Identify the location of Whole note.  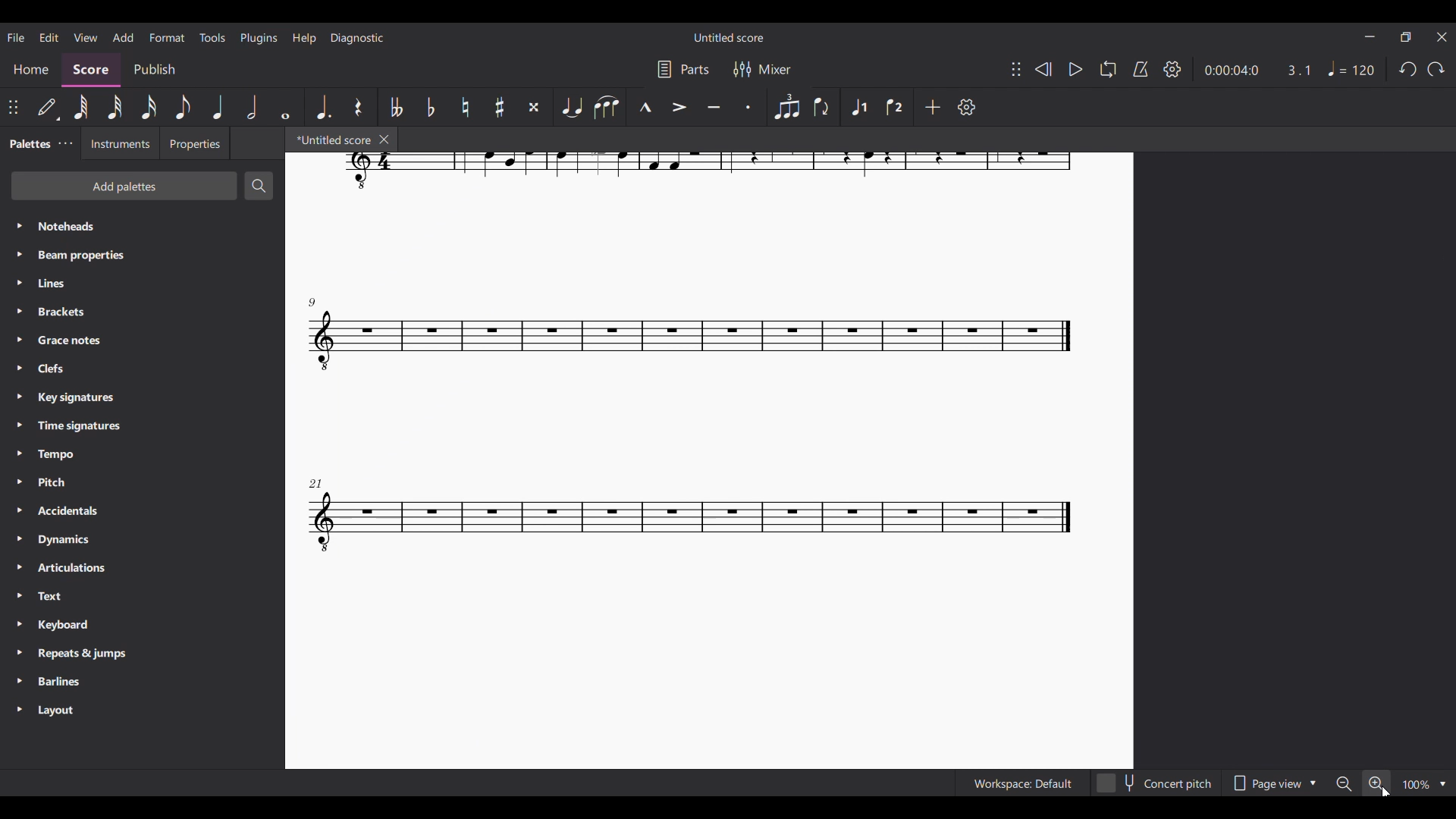
(285, 107).